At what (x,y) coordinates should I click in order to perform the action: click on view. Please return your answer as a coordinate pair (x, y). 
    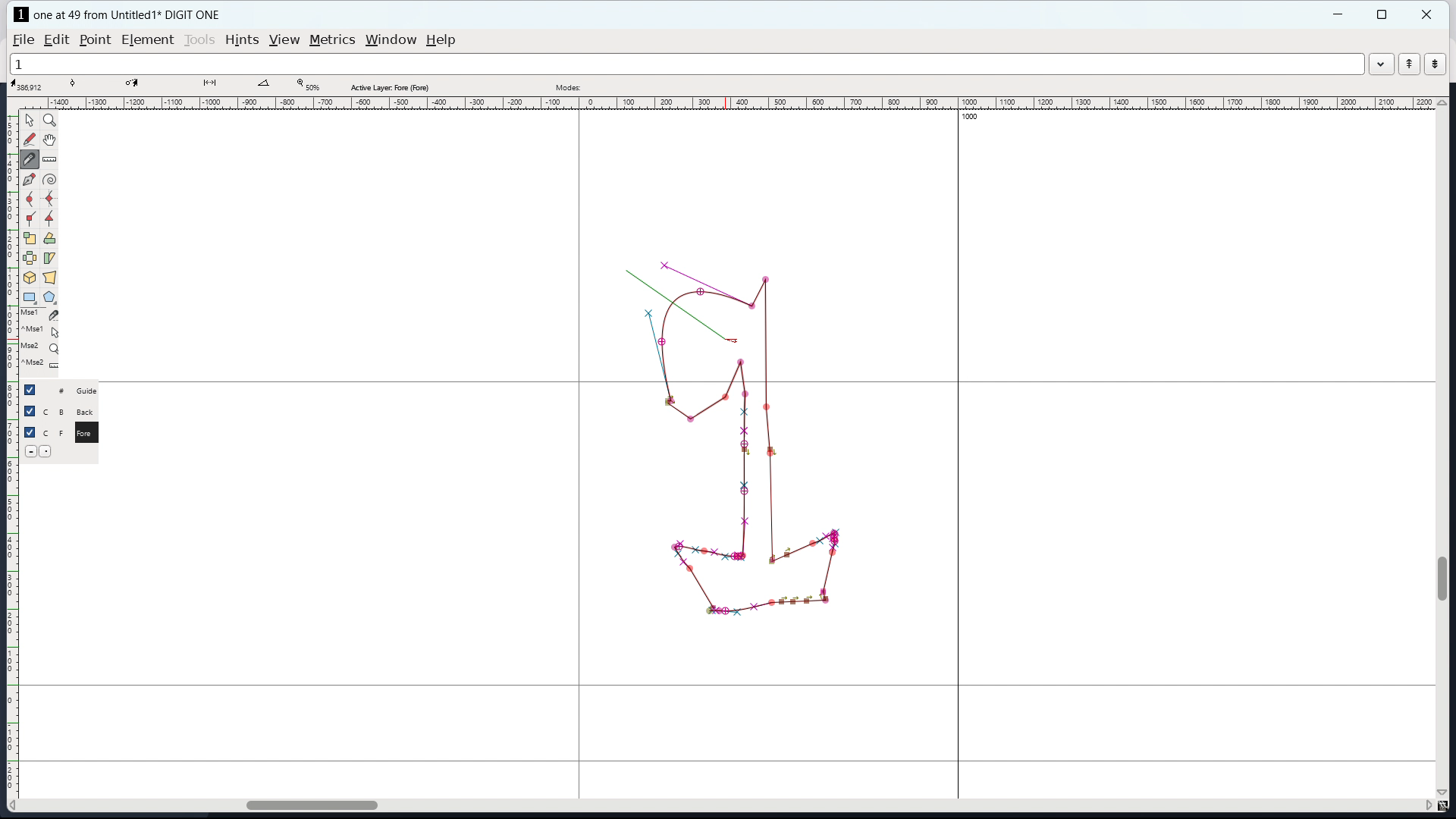
    Looking at the image, I should click on (284, 40).